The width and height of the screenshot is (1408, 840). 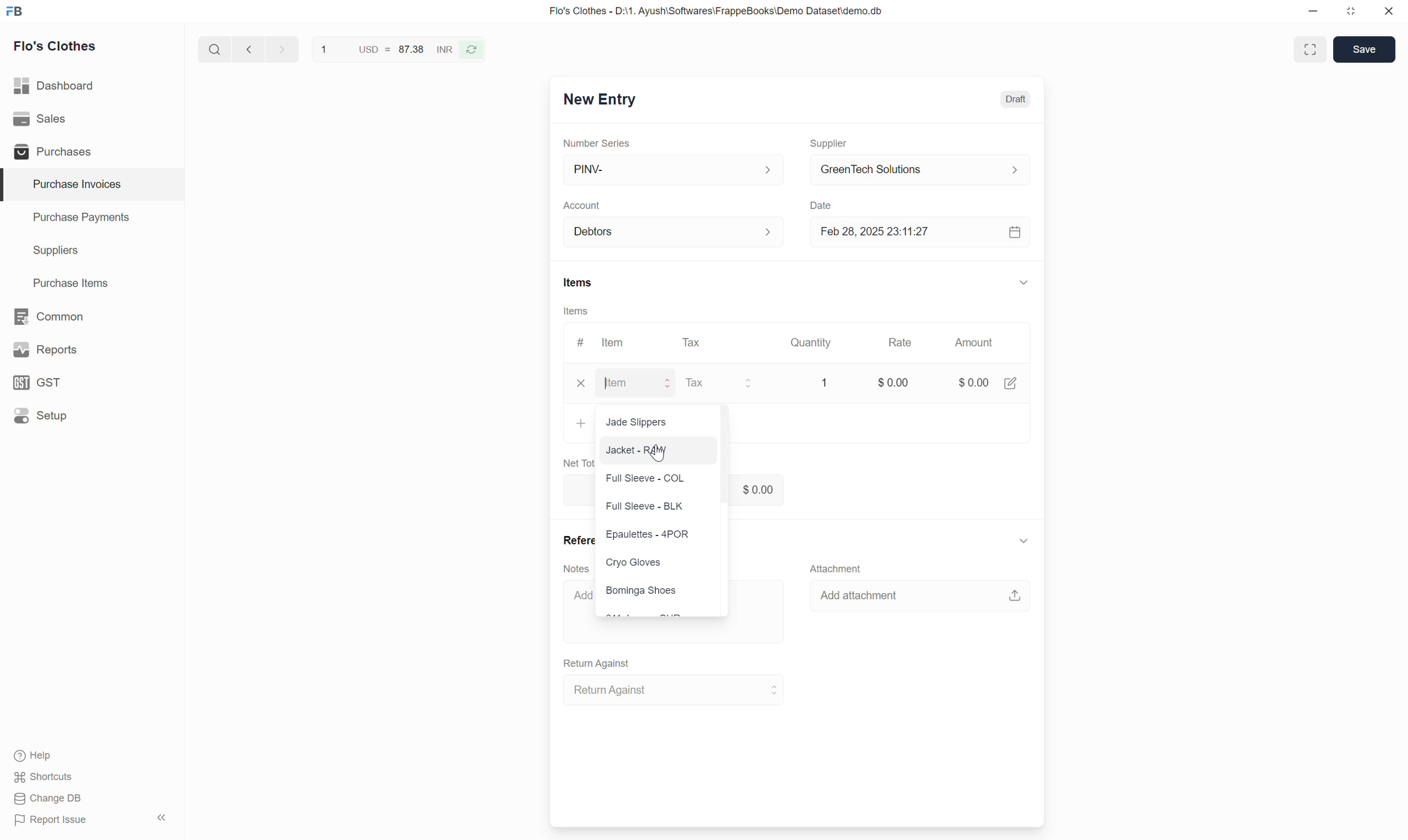 What do you see at coordinates (49, 799) in the screenshot?
I see `Change DB` at bounding box center [49, 799].